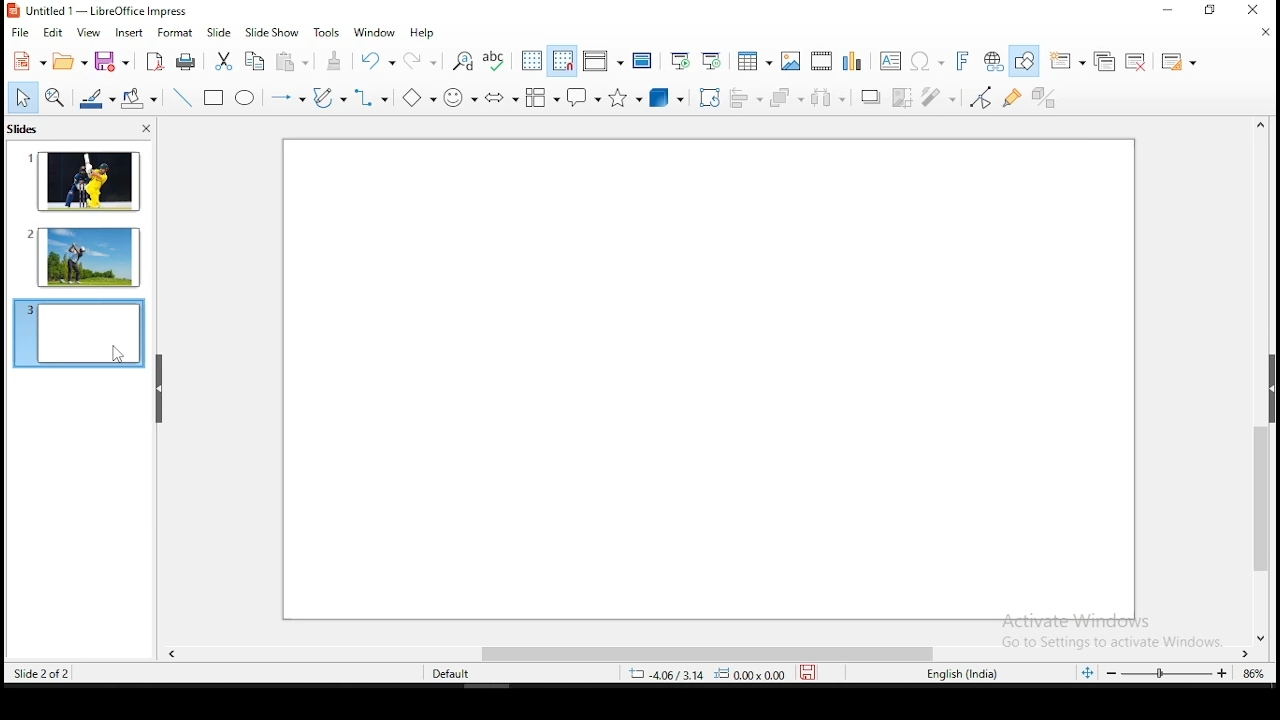  What do you see at coordinates (709, 99) in the screenshot?
I see `rotate` at bounding box center [709, 99].